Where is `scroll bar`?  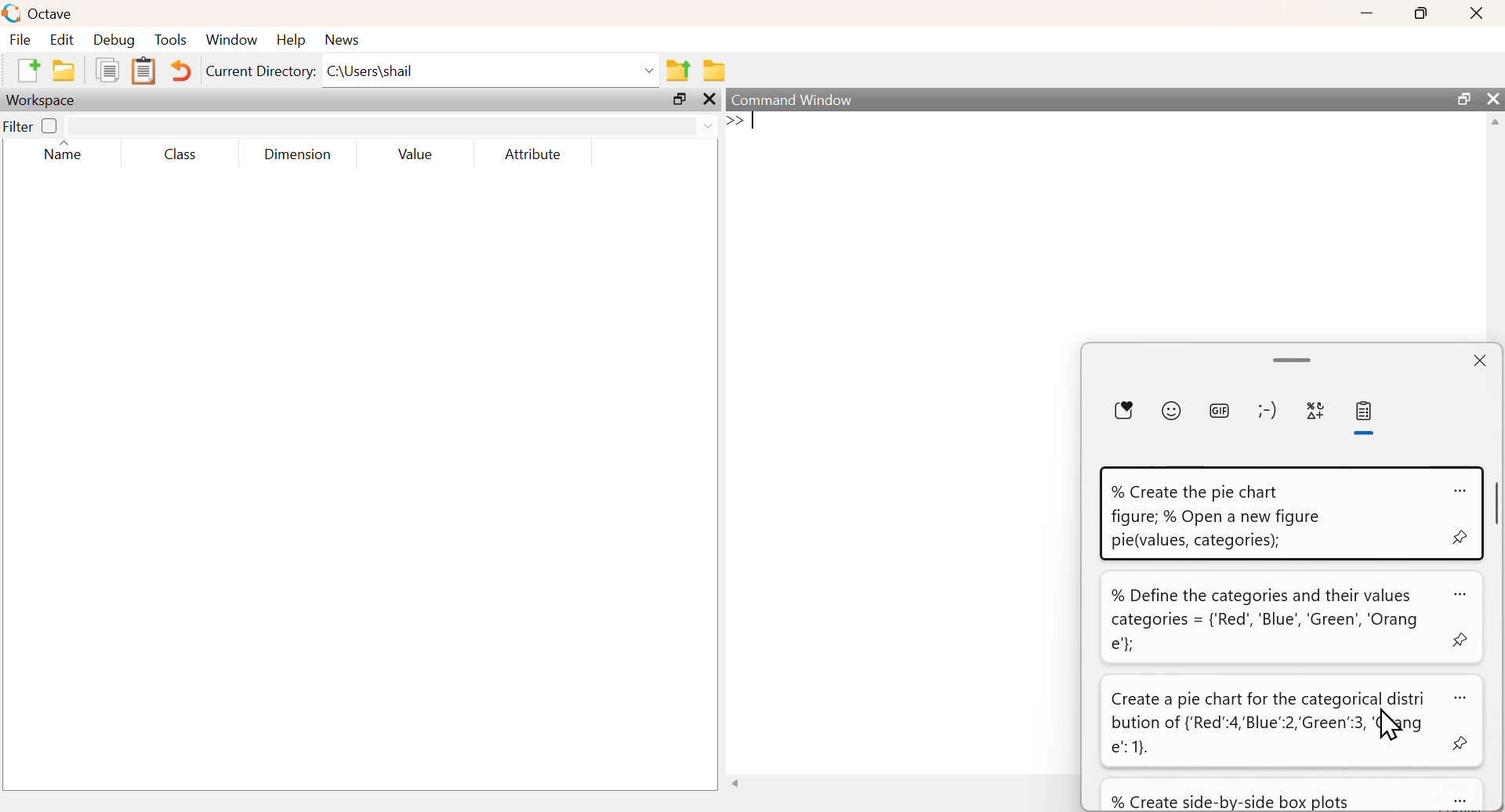
scroll bar is located at coordinates (1295, 360).